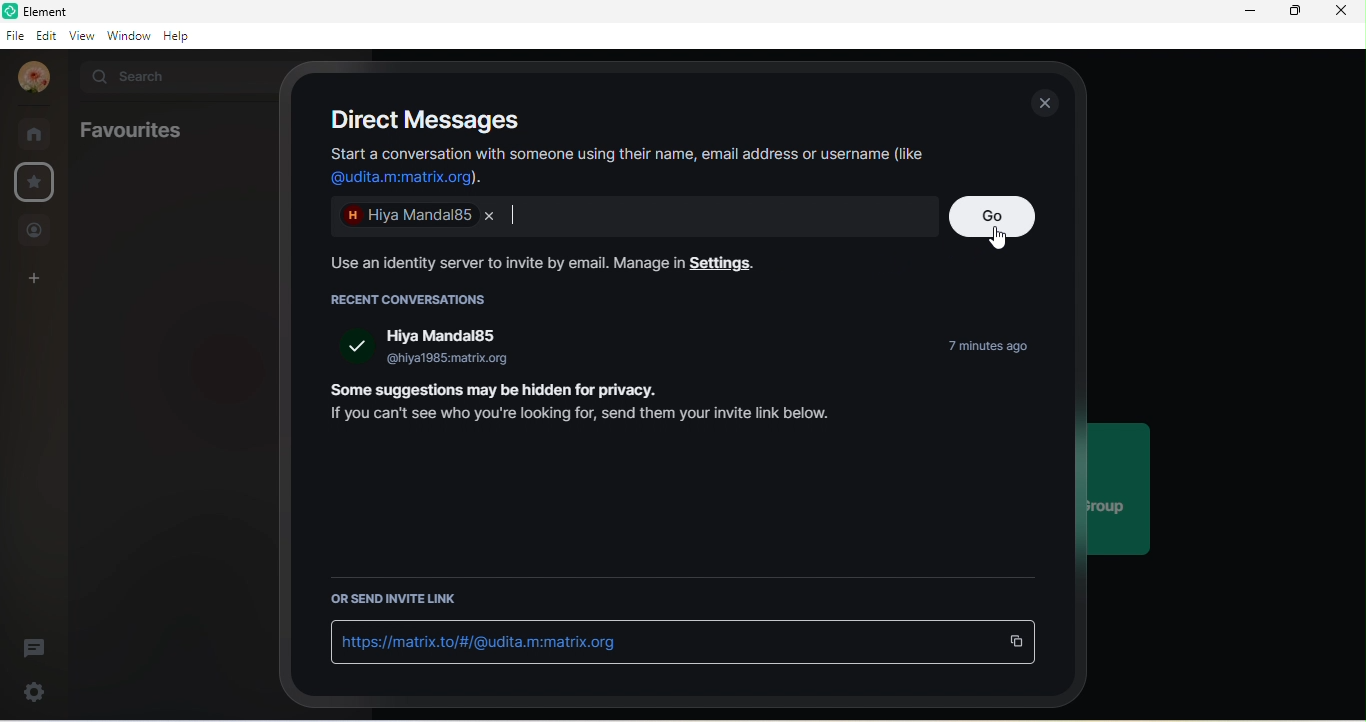 This screenshot has width=1366, height=722. What do you see at coordinates (490, 217) in the screenshot?
I see `Close` at bounding box center [490, 217].